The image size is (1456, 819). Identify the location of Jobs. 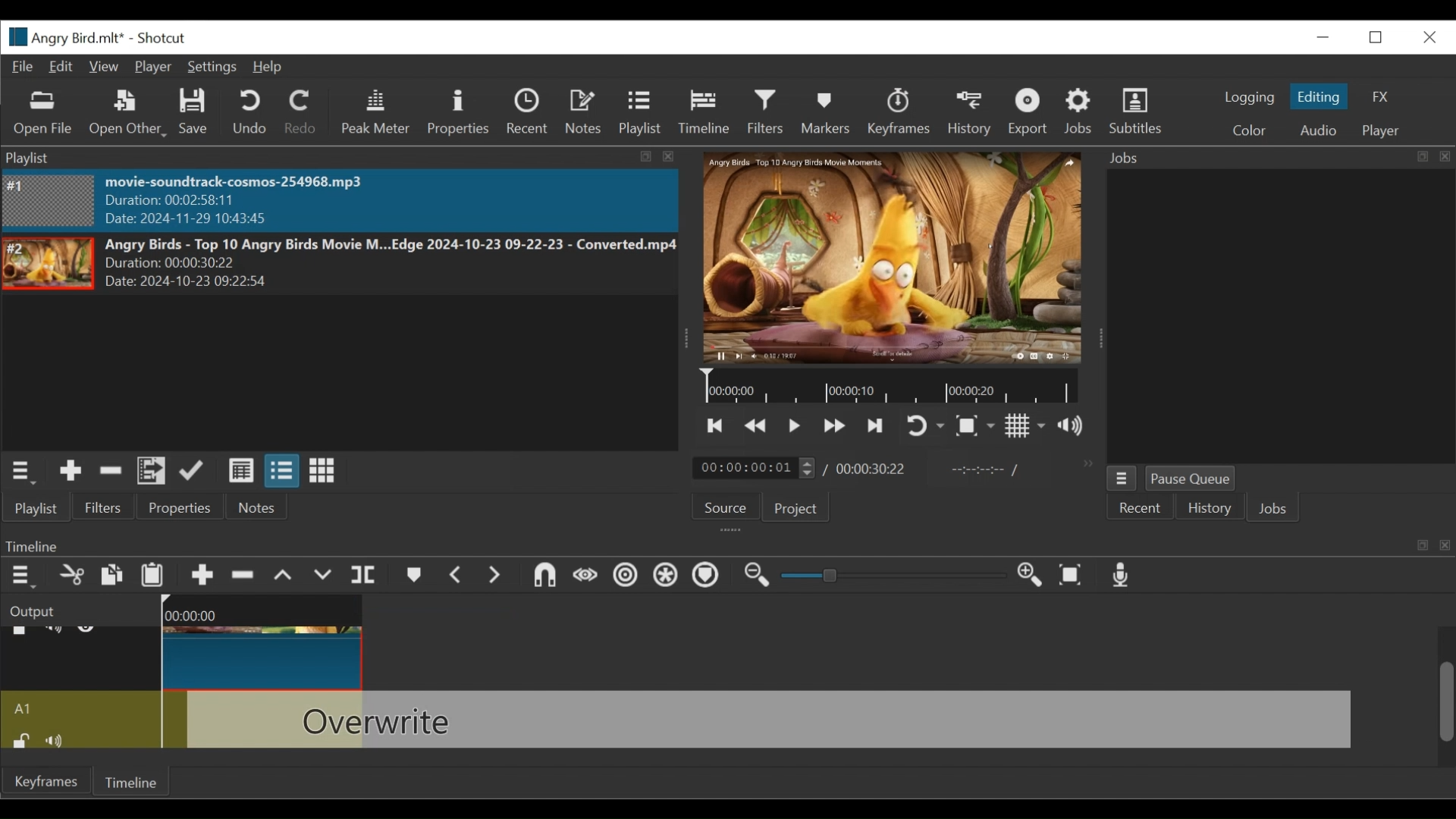
(1276, 508).